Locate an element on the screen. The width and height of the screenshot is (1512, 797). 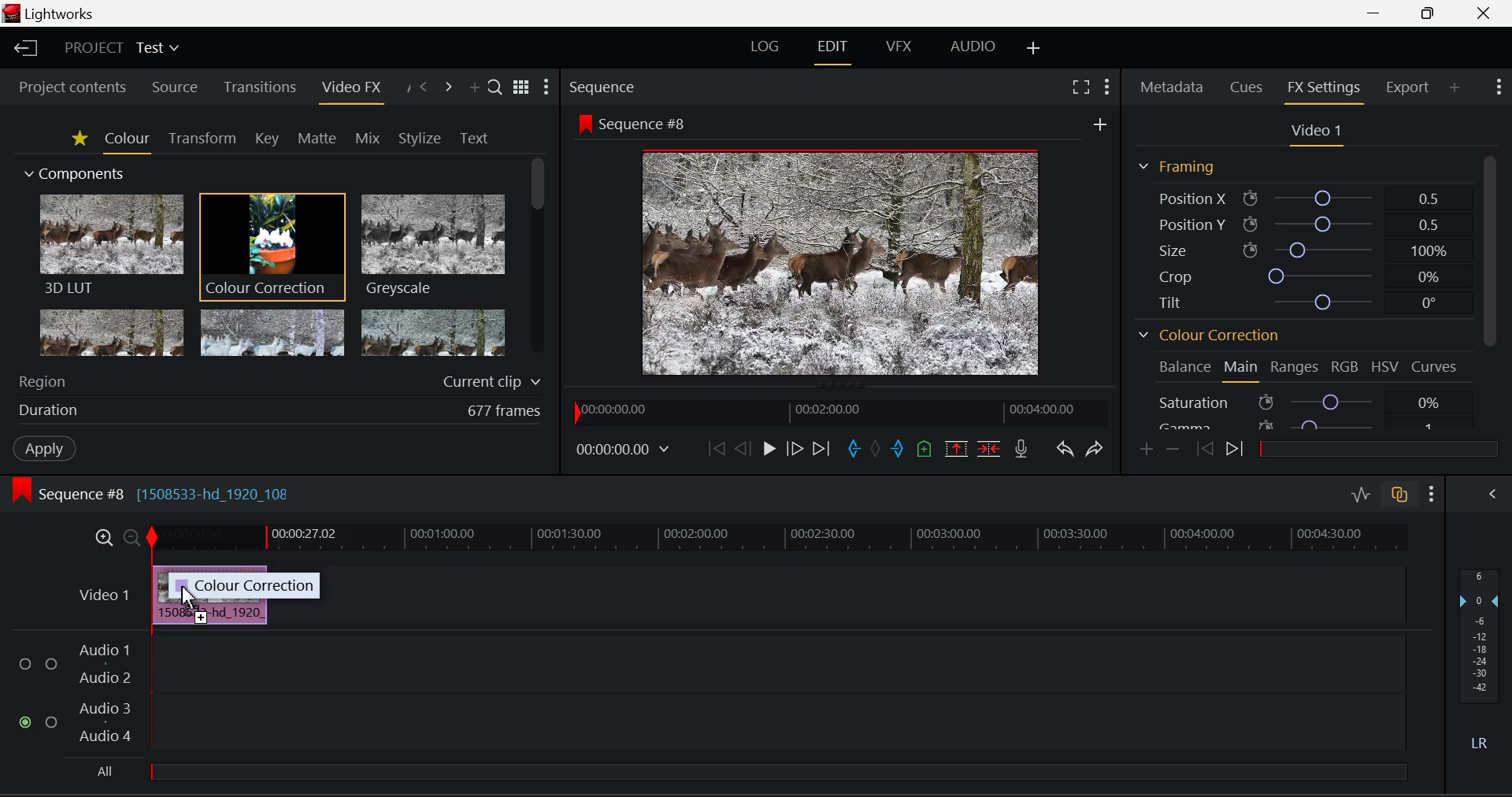
Search is located at coordinates (492, 84).